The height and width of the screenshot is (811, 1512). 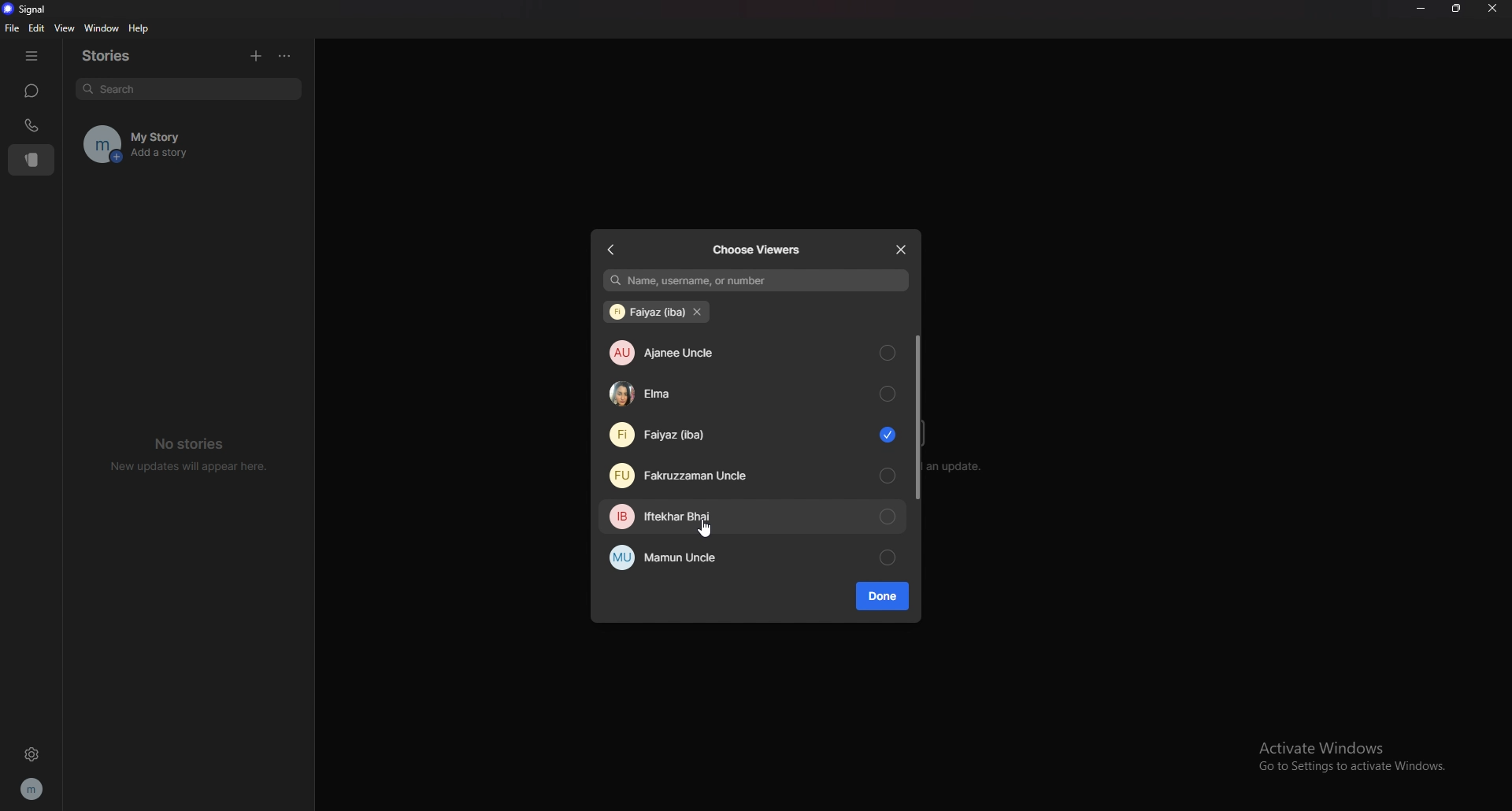 What do you see at coordinates (754, 556) in the screenshot?
I see `mamun uncle` at bounding box center [754, 556].